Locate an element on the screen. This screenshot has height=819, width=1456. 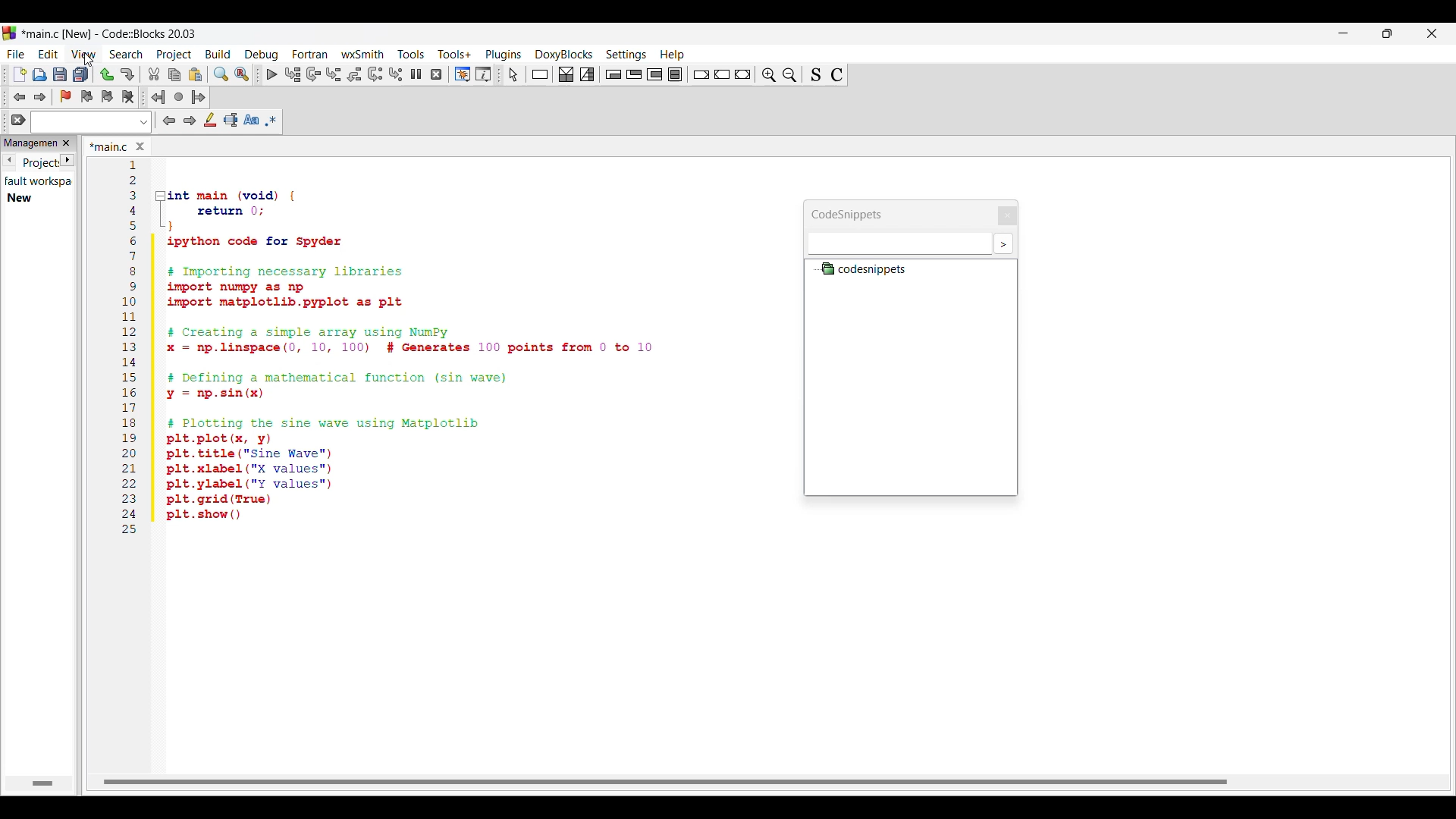
wxSmith menu is located at coordinates (362, 54).